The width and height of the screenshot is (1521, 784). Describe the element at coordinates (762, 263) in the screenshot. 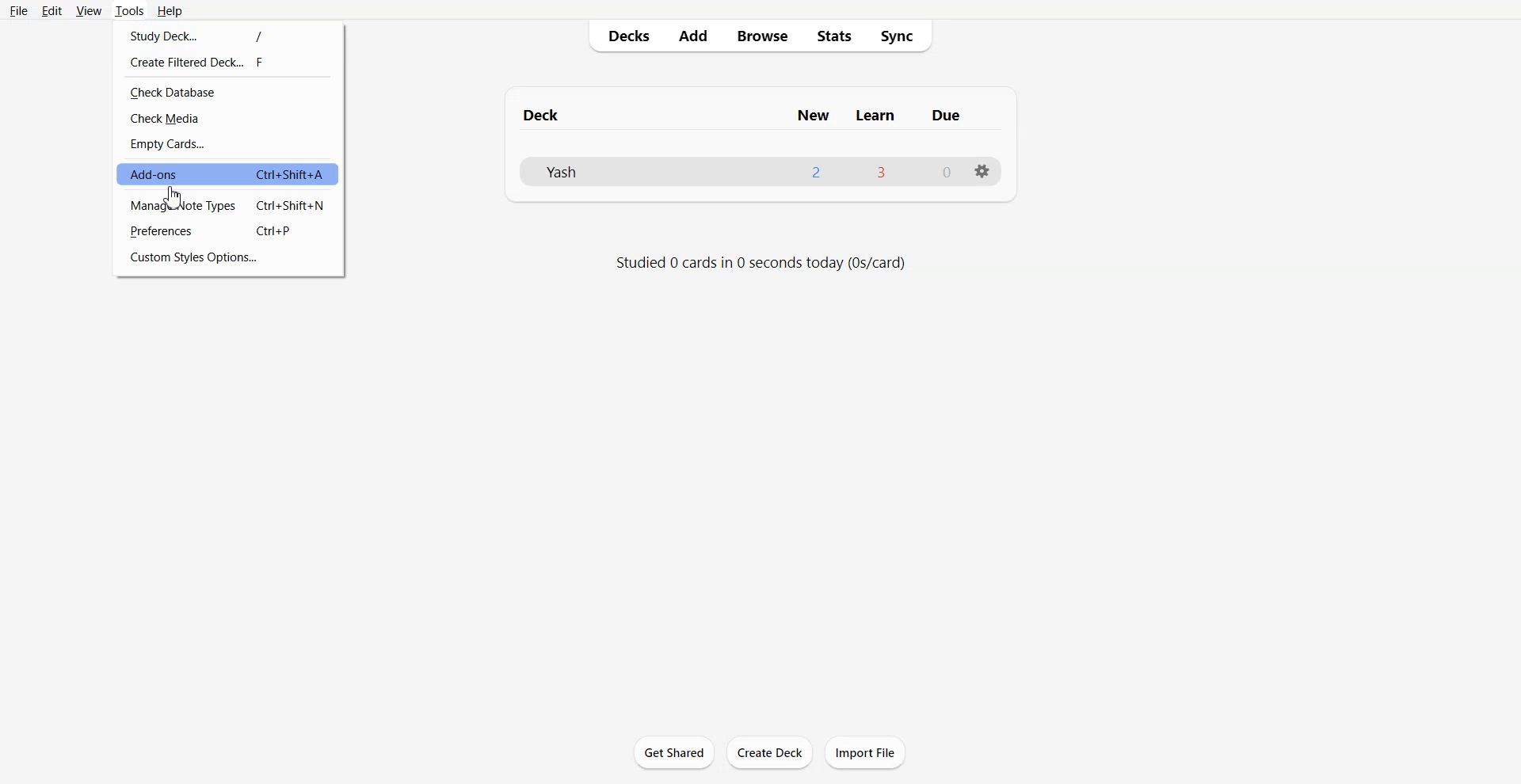

I see `Studied 0 cards in 0 seconds today (0s/card)` at that location.